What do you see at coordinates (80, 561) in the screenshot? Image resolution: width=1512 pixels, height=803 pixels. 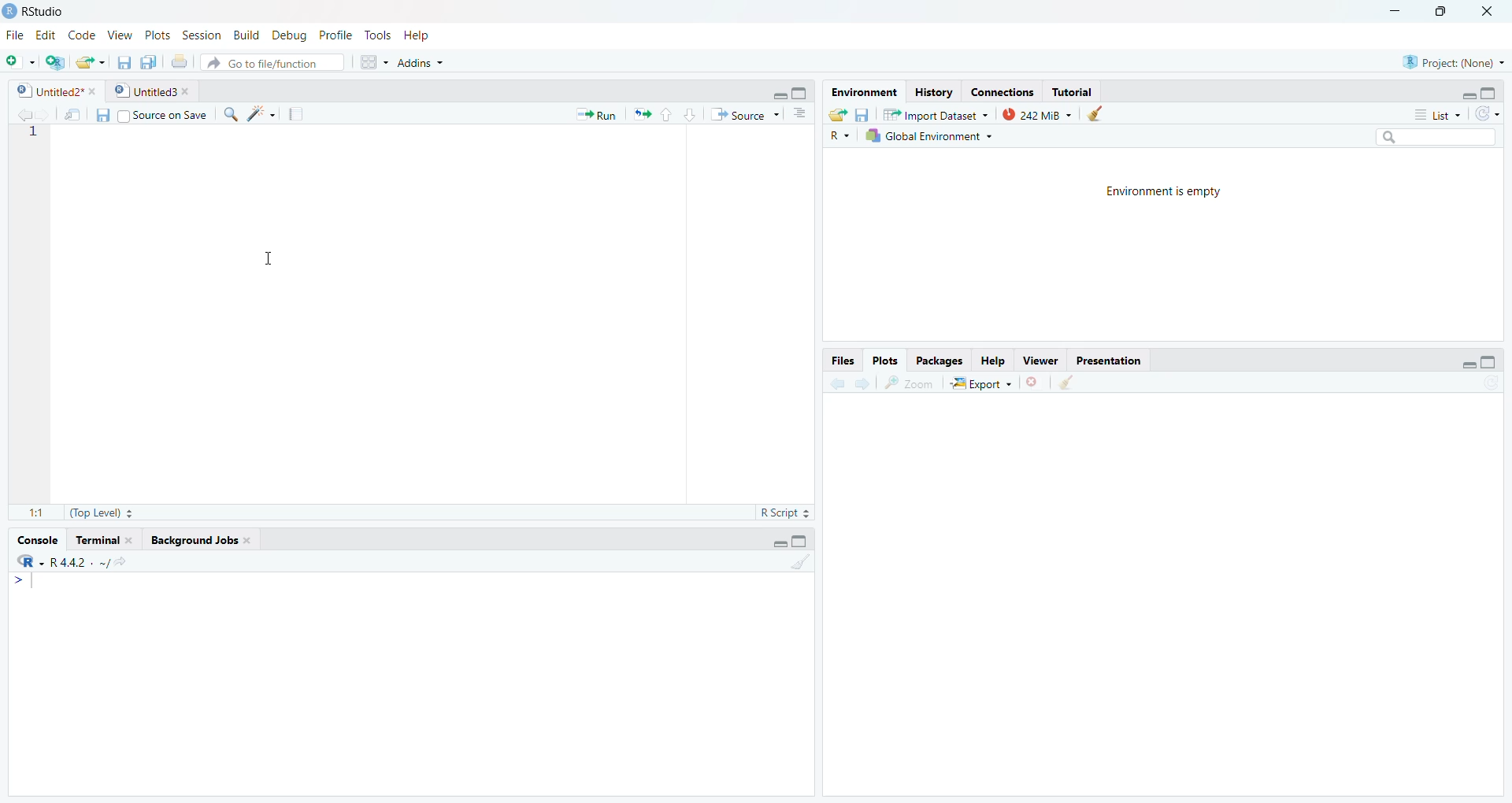 I see `R442 . ~/` at bounding box center [80, 561].